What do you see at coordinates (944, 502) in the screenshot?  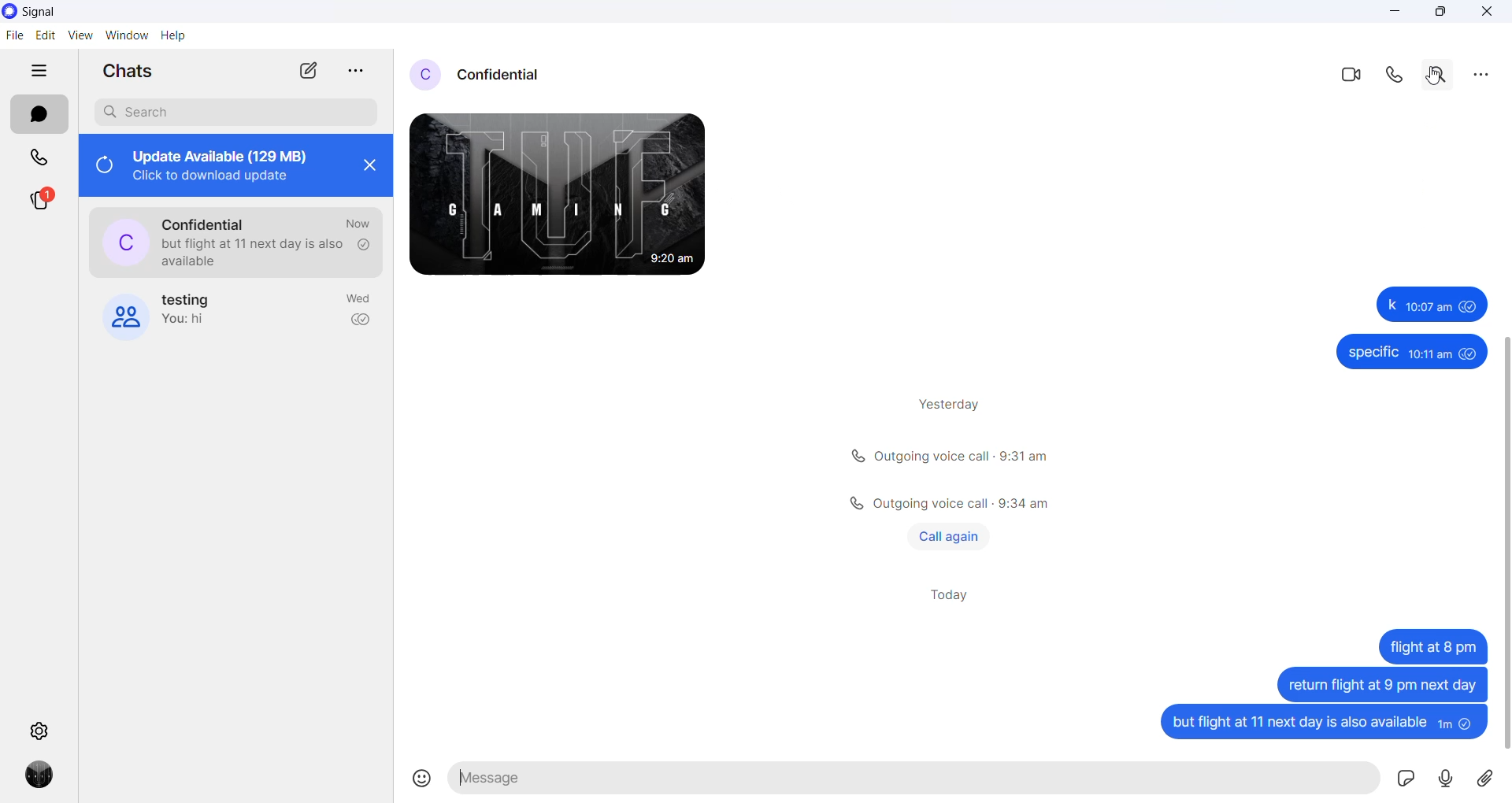 I see `` at bounding box center [944, 502].